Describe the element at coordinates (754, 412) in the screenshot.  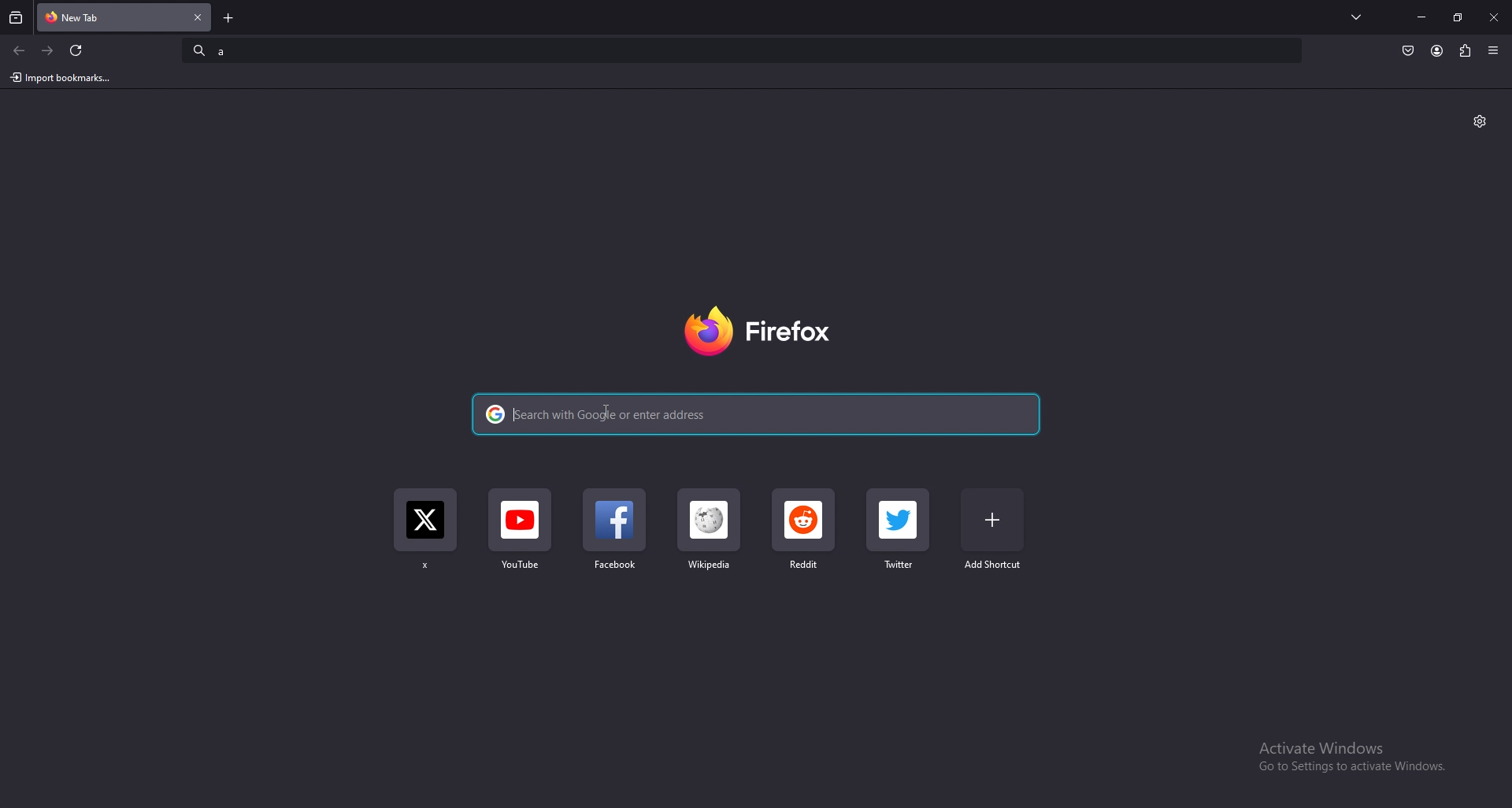
I see `search bar` at that location.